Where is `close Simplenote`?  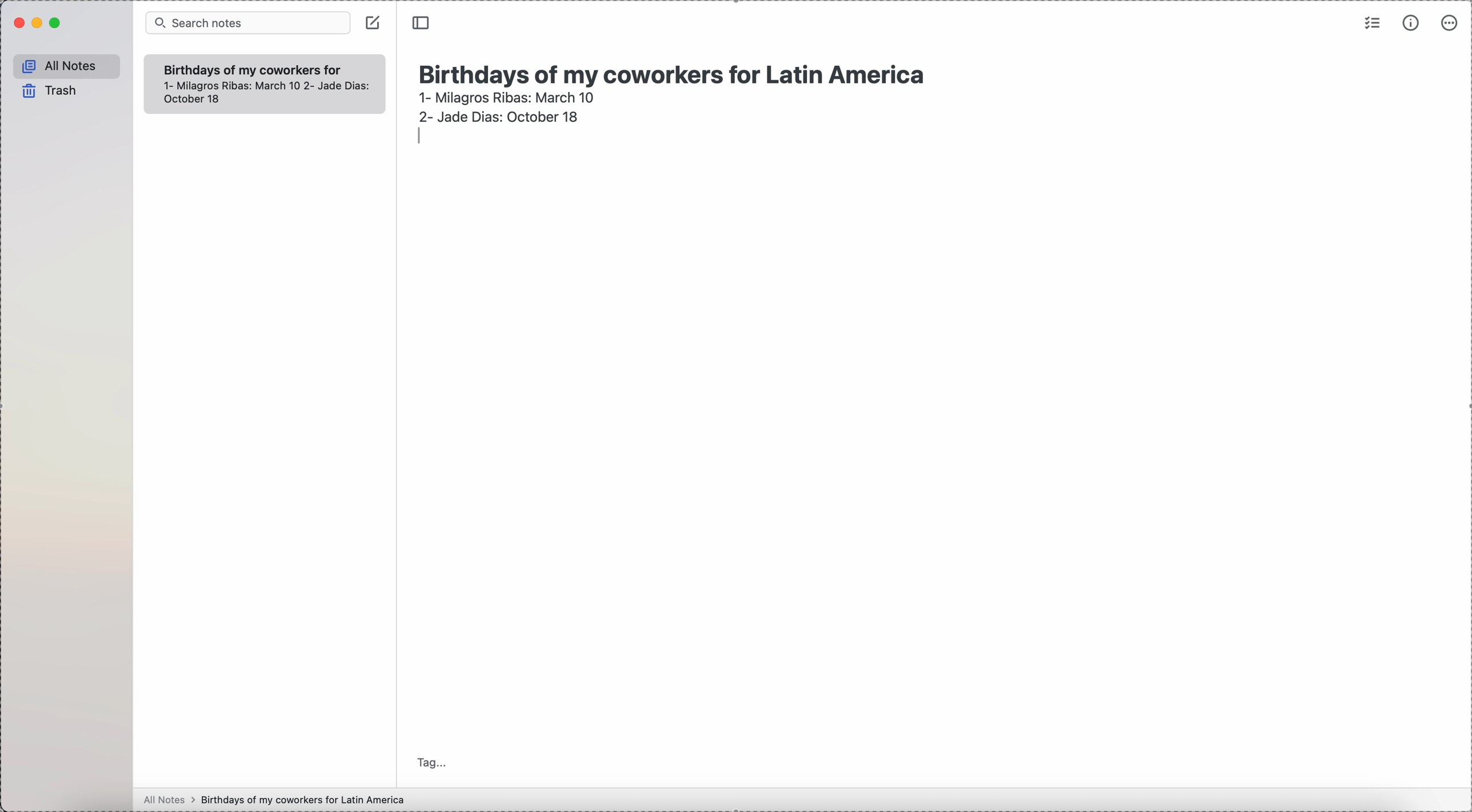 close Simplenote is located at coordinates (18, 23).